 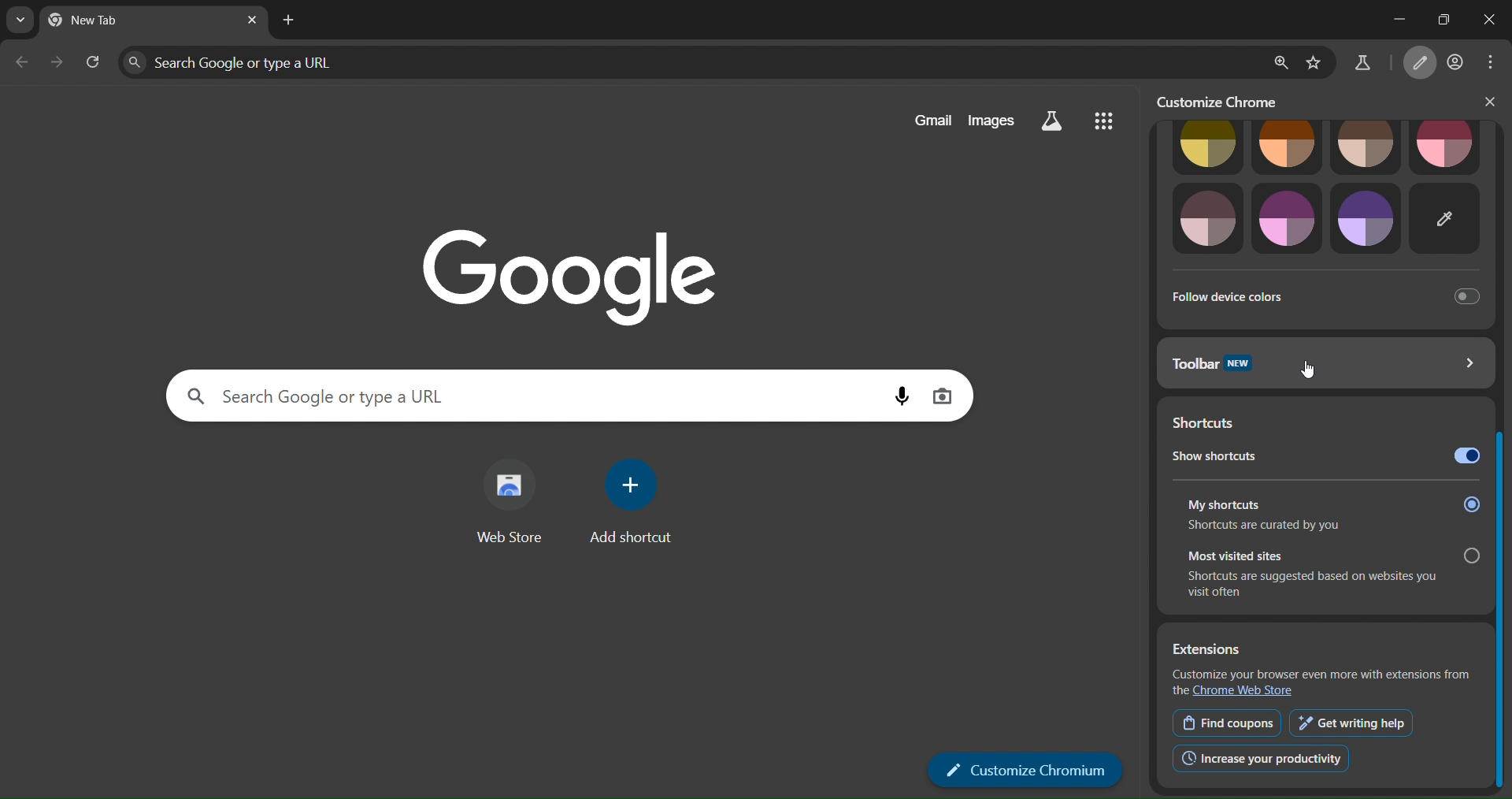 What do you see at coordinates (1323, 362) in the screenshot?
I see `toolbar` at bounding box center [1323, 362].